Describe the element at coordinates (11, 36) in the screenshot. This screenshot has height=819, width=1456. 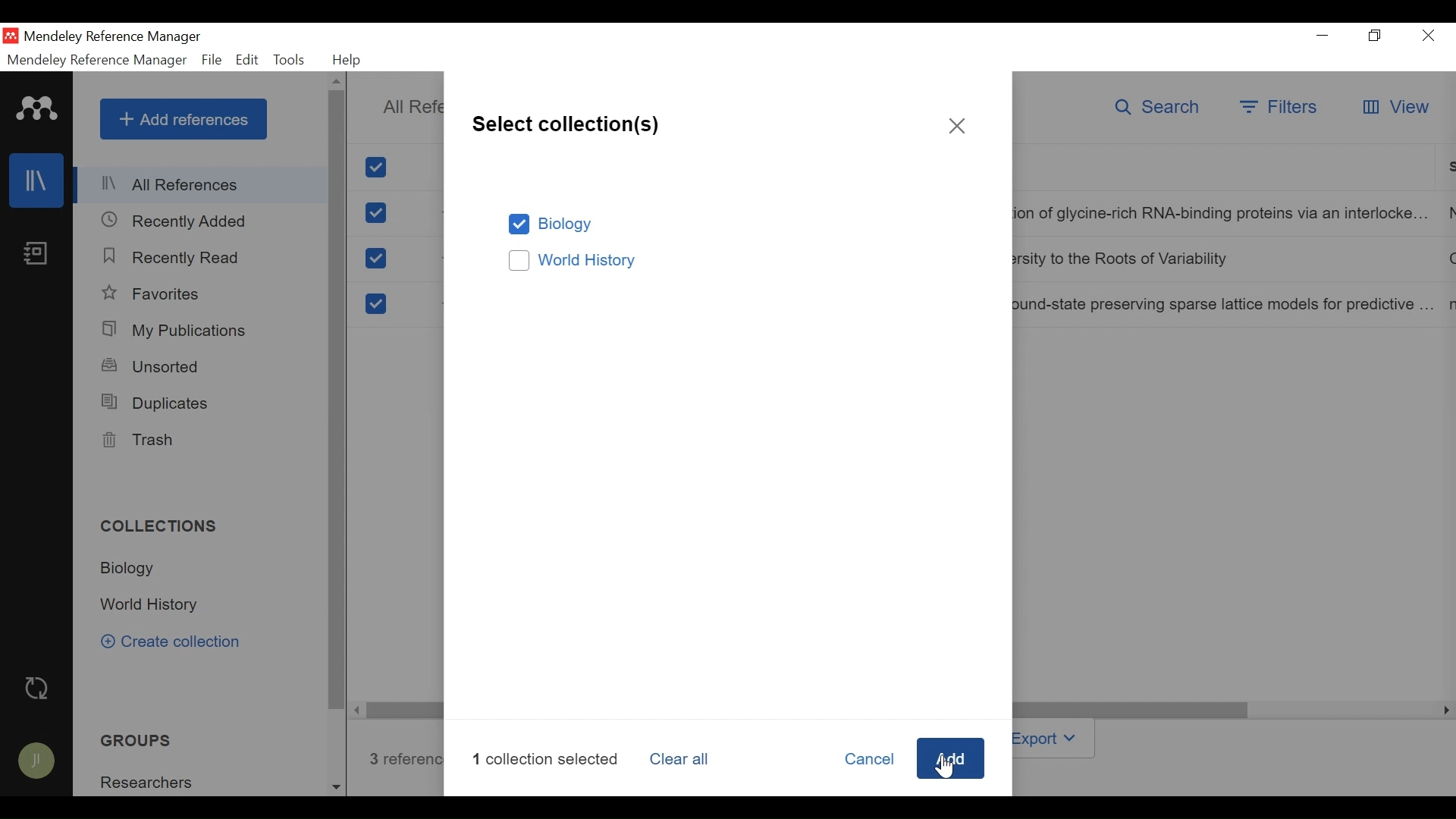
I see `Mendeley Desktop Icon` at that location.